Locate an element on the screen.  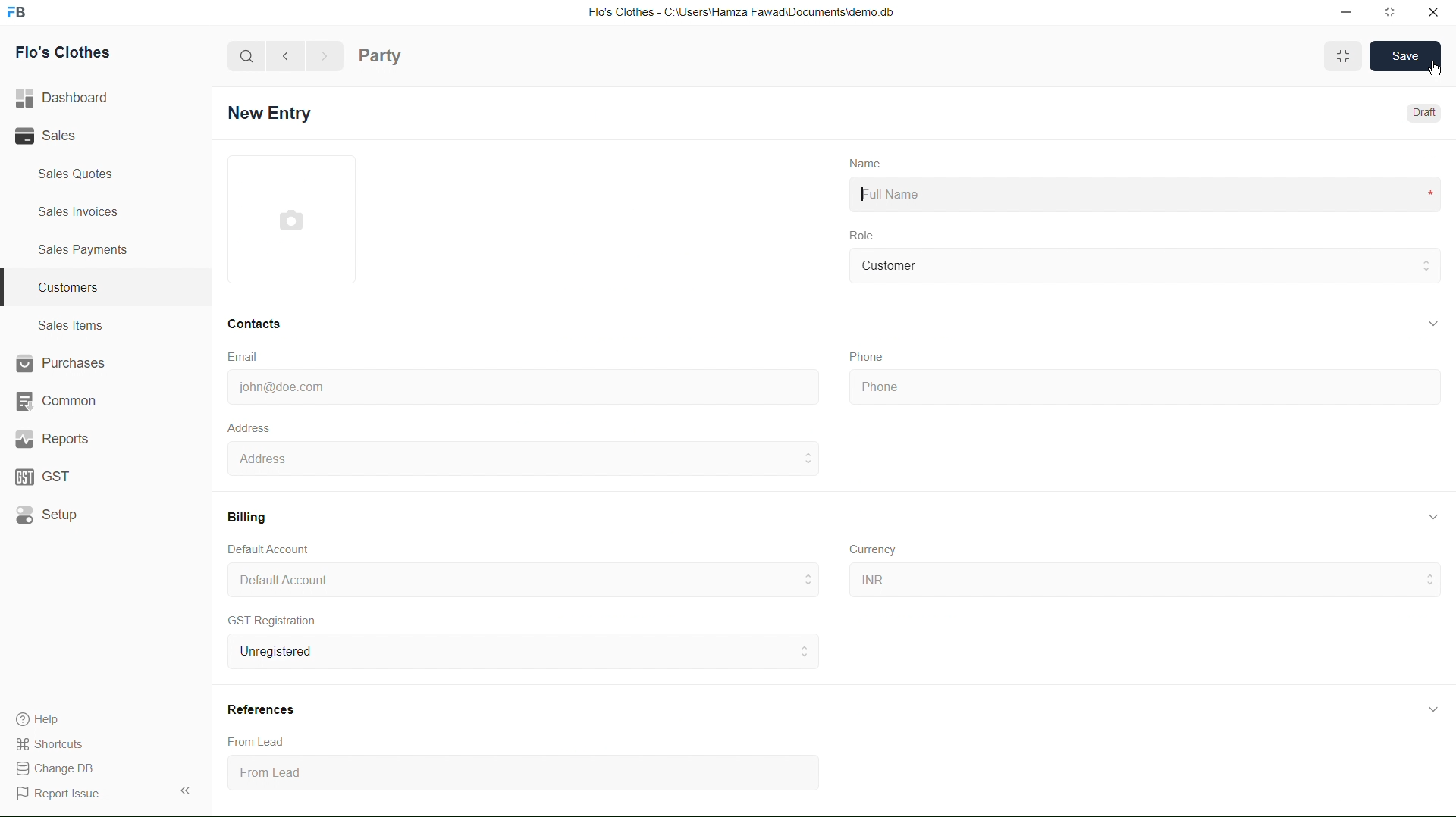
expand is located at coordinates (1432, 708).